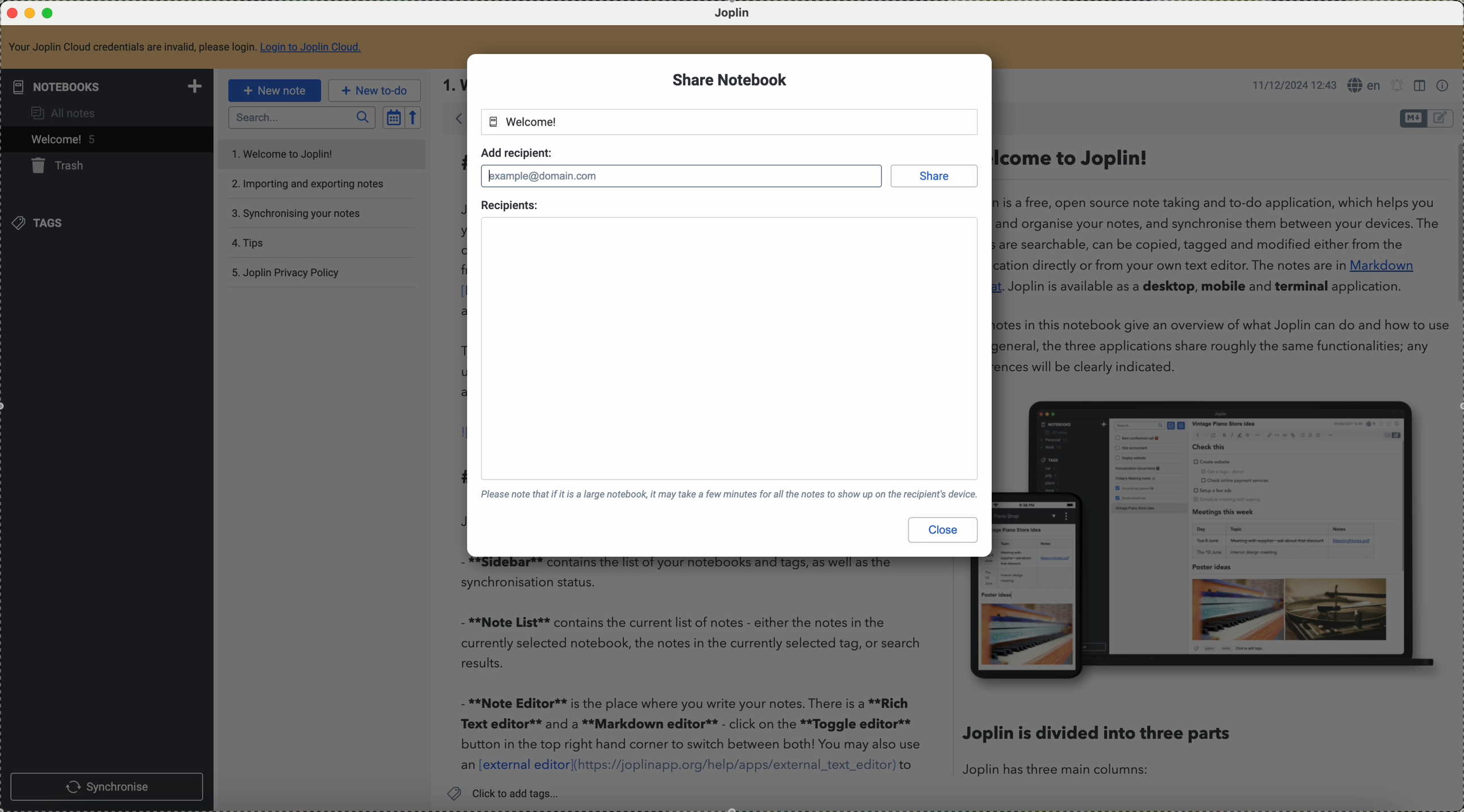 This screenshot has height=812, width=1464. What do you see at coordinates (105, 141) in the screenshot?
I see `click on welcome note` at bounding box center [105, 141].